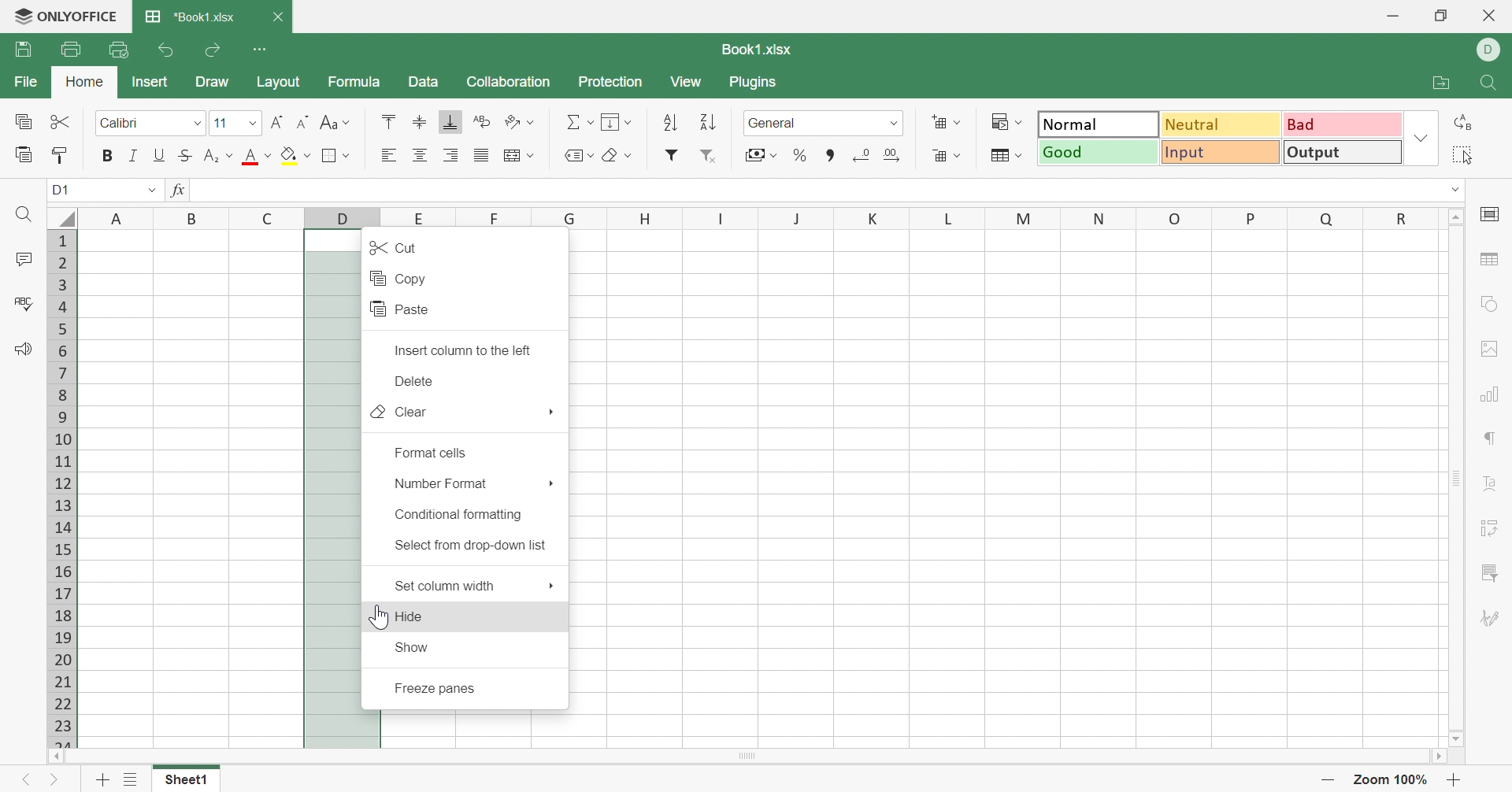  Describe the element at coordinates (1017, 121) in the screenshot. I see `Drop Down` at that location.